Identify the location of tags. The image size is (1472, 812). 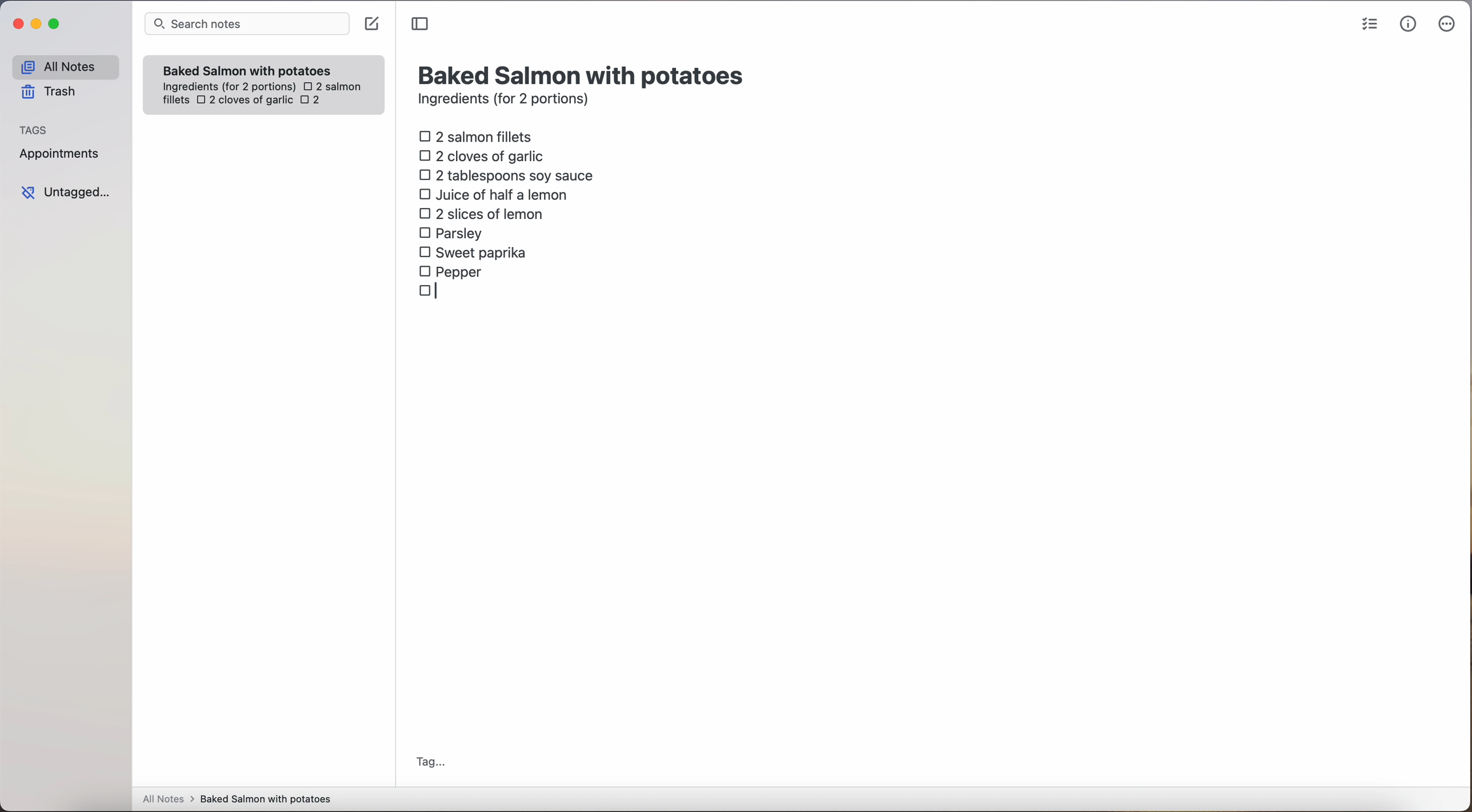
(34, 129).